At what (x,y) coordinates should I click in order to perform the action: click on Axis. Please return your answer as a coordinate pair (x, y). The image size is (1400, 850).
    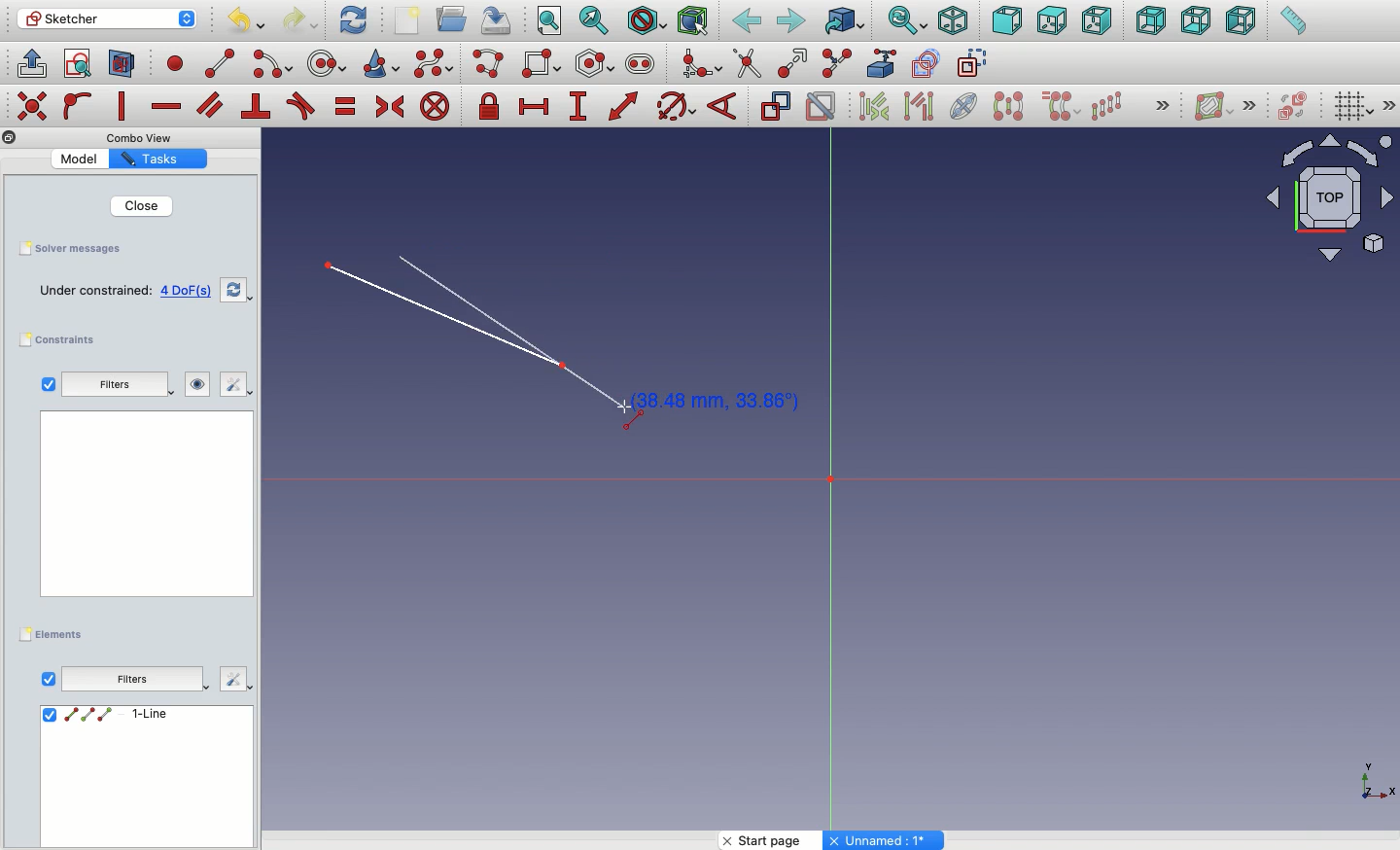
    Looking at the image, I should click on (831, 485).